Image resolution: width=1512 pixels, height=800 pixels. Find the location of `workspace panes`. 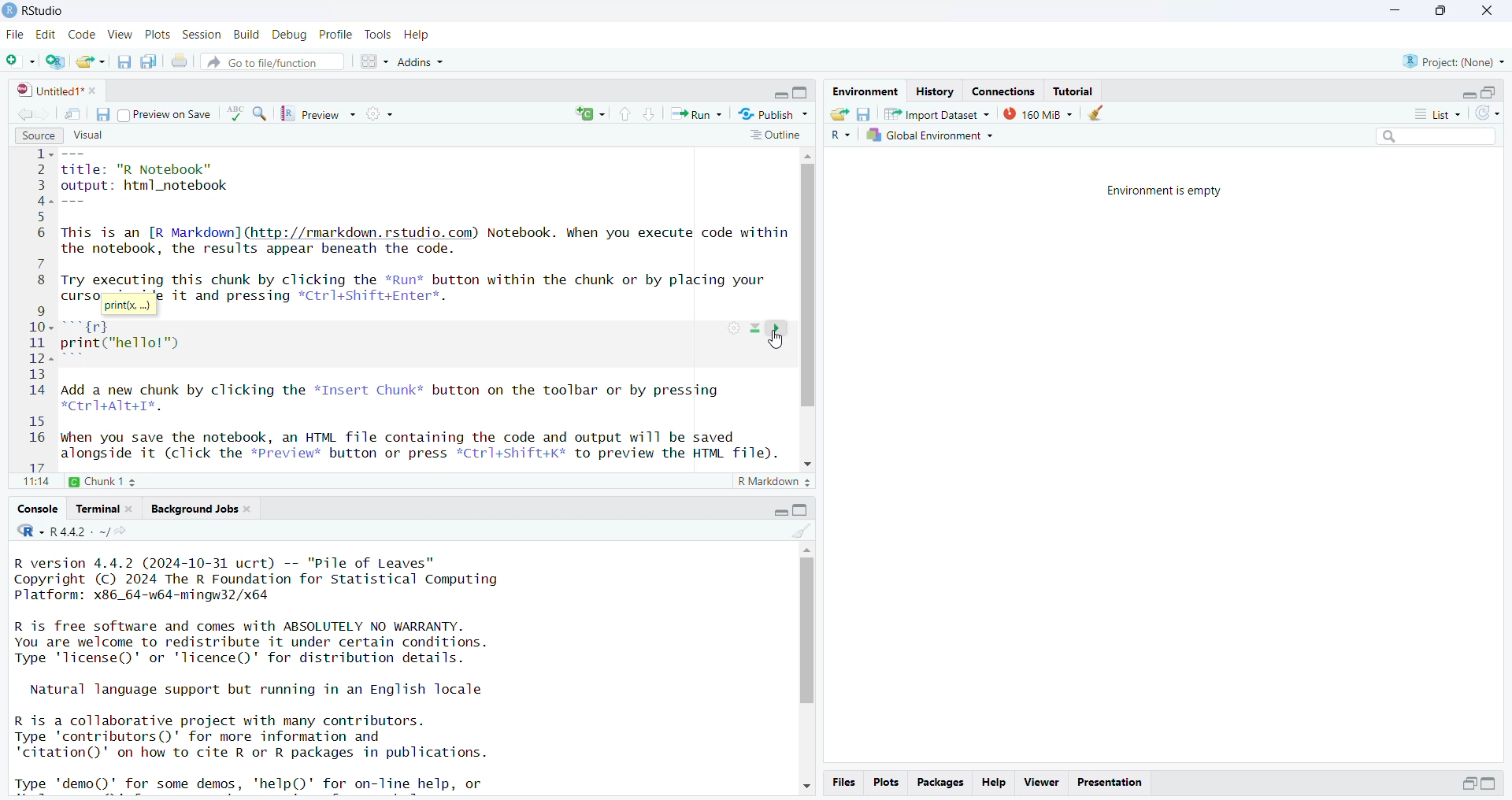

workspace panes is located at coordinates (375, 61).